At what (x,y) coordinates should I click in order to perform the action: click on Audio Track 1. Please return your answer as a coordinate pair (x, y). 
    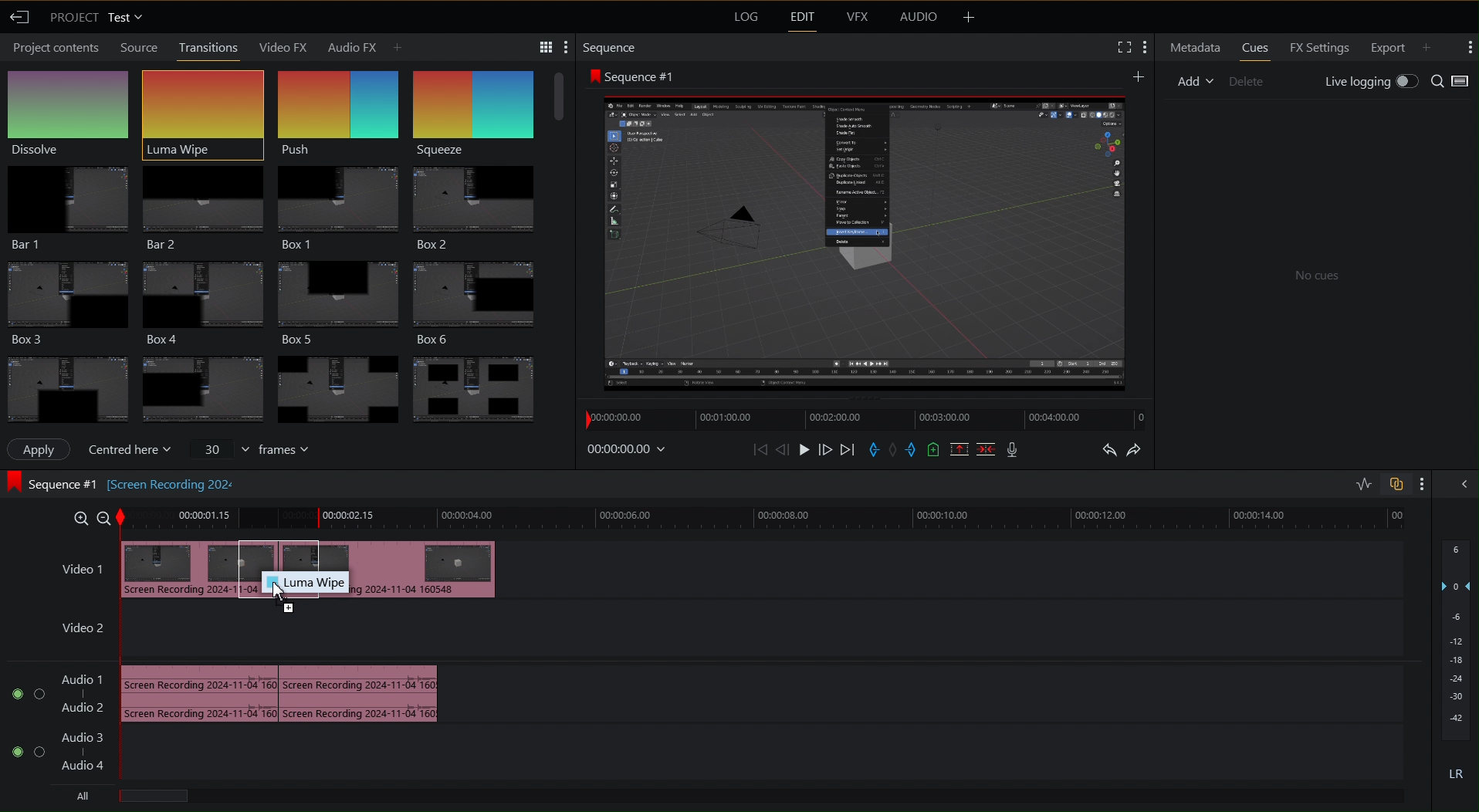
    Looking at the image, I should click on (287, 692).